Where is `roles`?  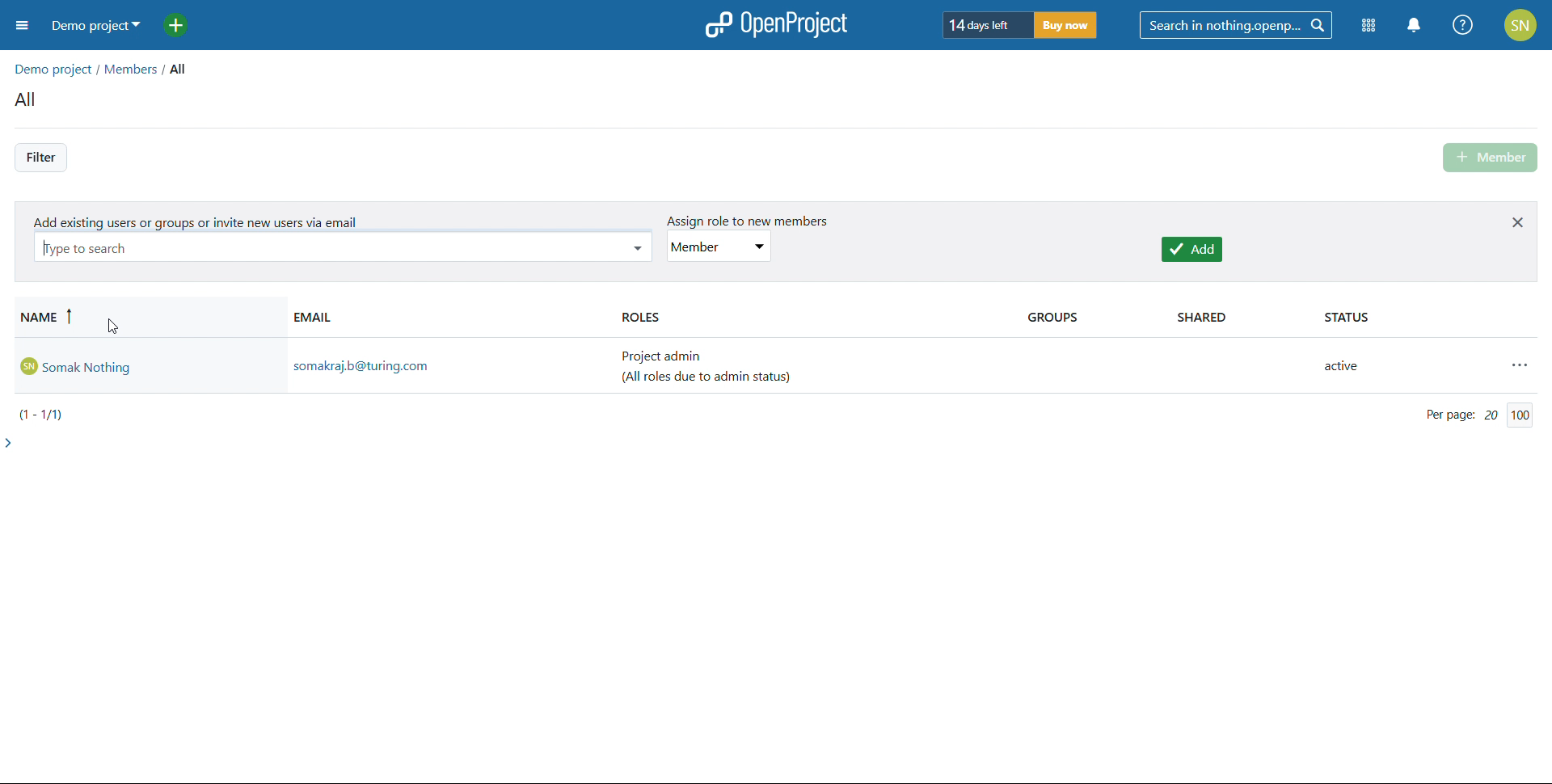 roles is located at coordinates (805, 317).